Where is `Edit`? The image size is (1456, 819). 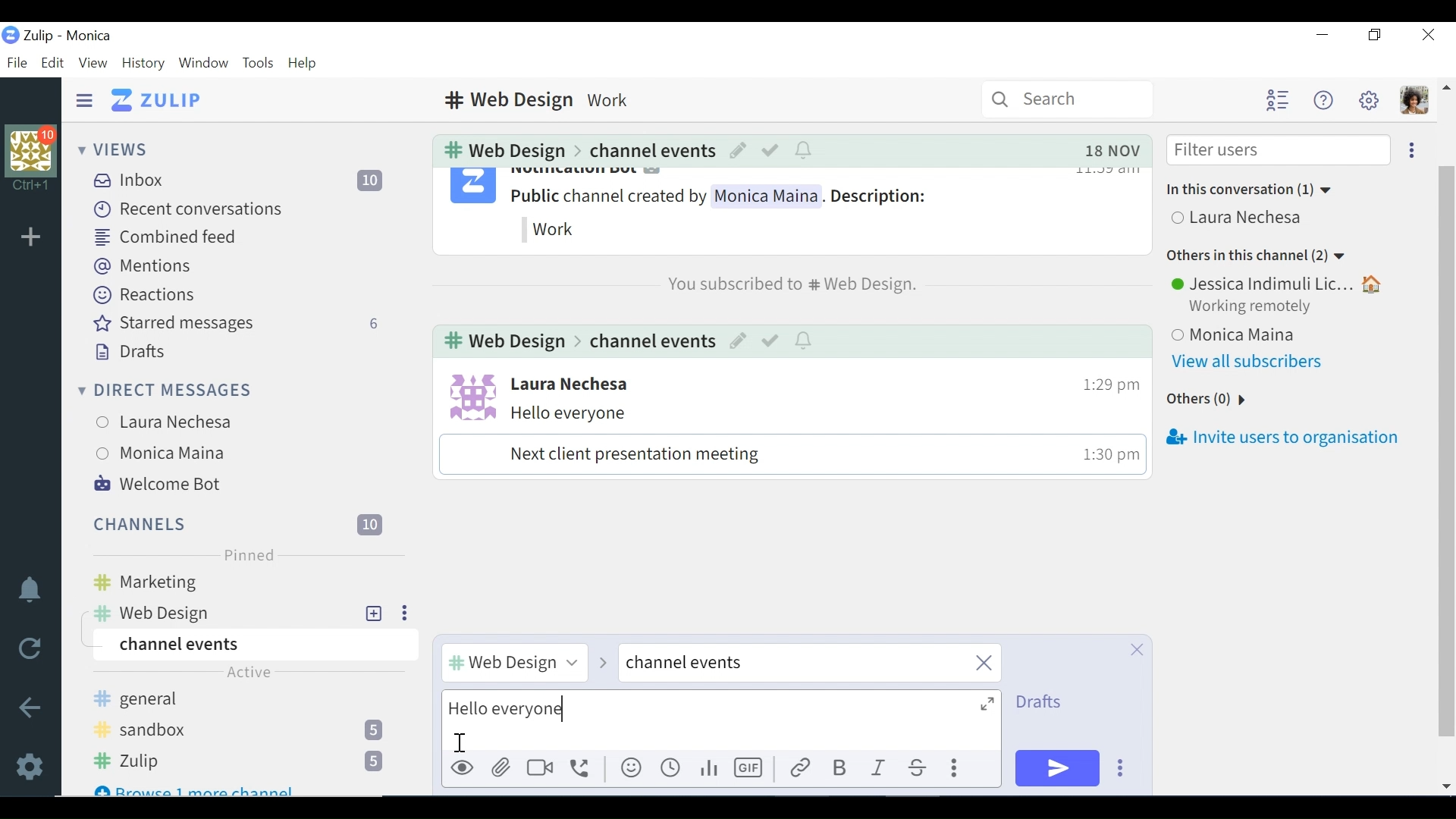 Edit is located at coordinates (736, 149).